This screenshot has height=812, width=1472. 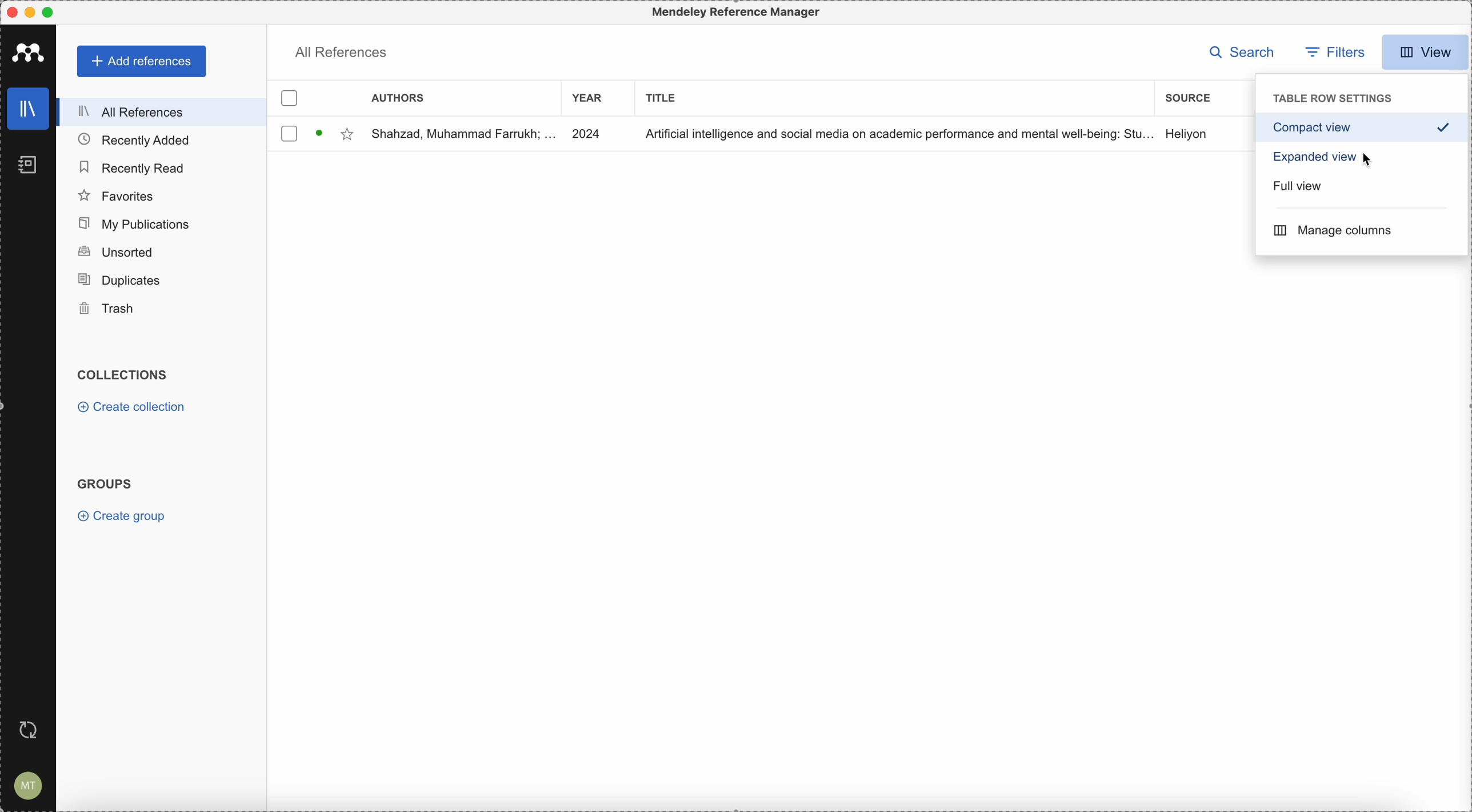 I want to click on maximize, so click(x=49, y=12).